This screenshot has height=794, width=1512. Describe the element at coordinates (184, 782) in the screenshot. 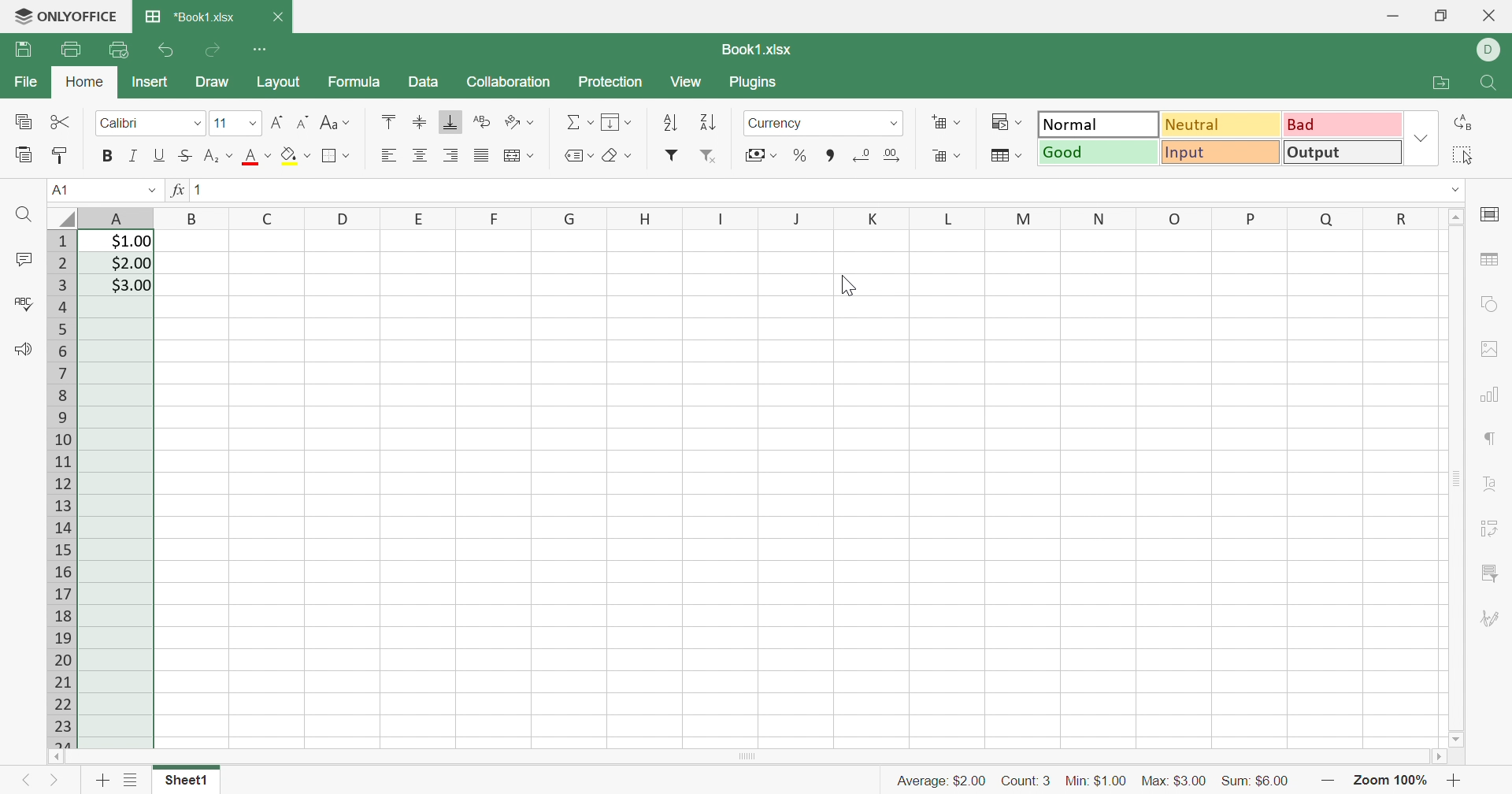

I see `Sheet1` at that location.